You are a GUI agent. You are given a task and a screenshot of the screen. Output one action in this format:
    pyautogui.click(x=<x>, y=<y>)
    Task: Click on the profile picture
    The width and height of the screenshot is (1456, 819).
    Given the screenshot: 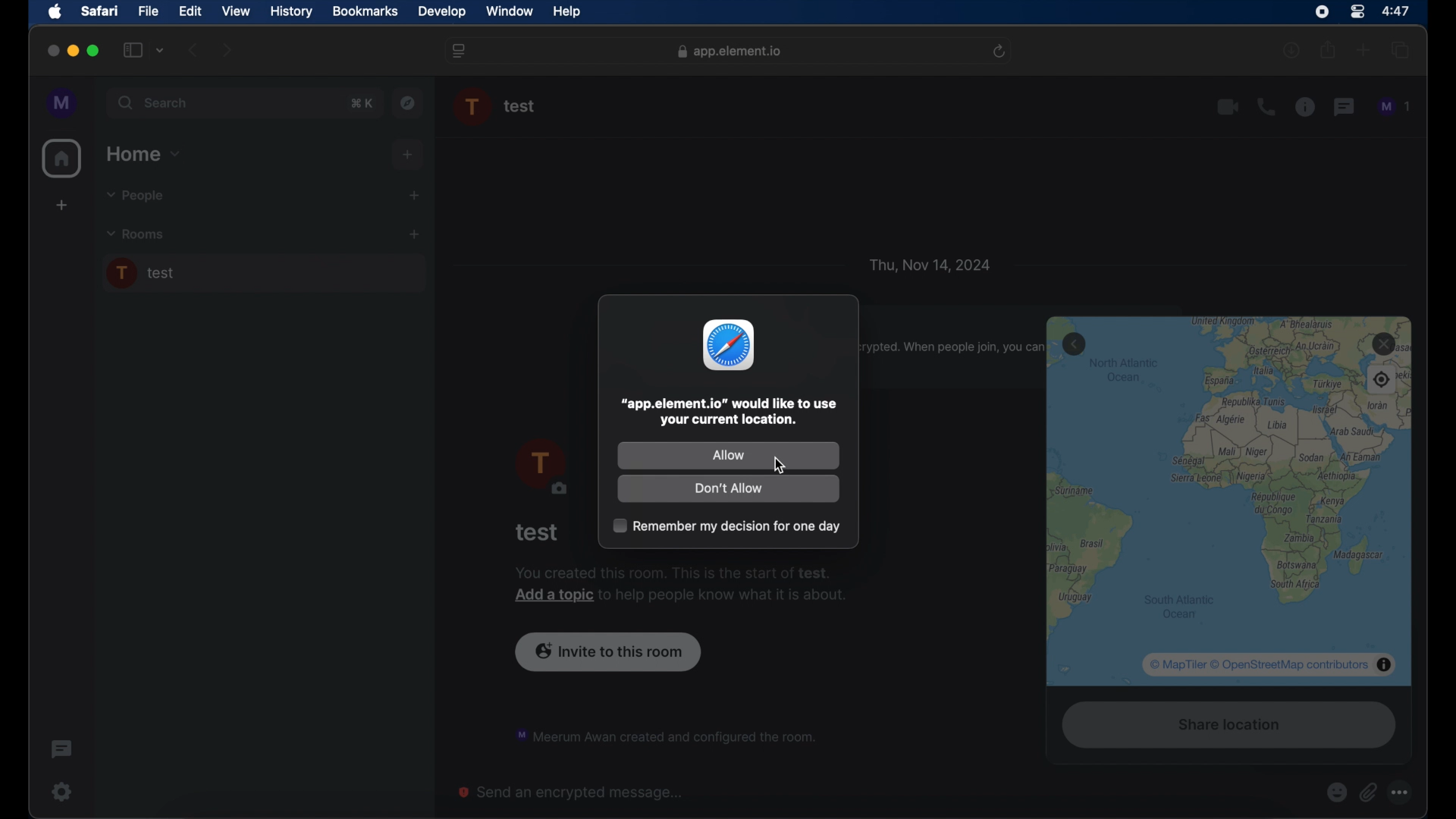 What is the action you would take?
    pyautogui.click(x=473, y=107)
    